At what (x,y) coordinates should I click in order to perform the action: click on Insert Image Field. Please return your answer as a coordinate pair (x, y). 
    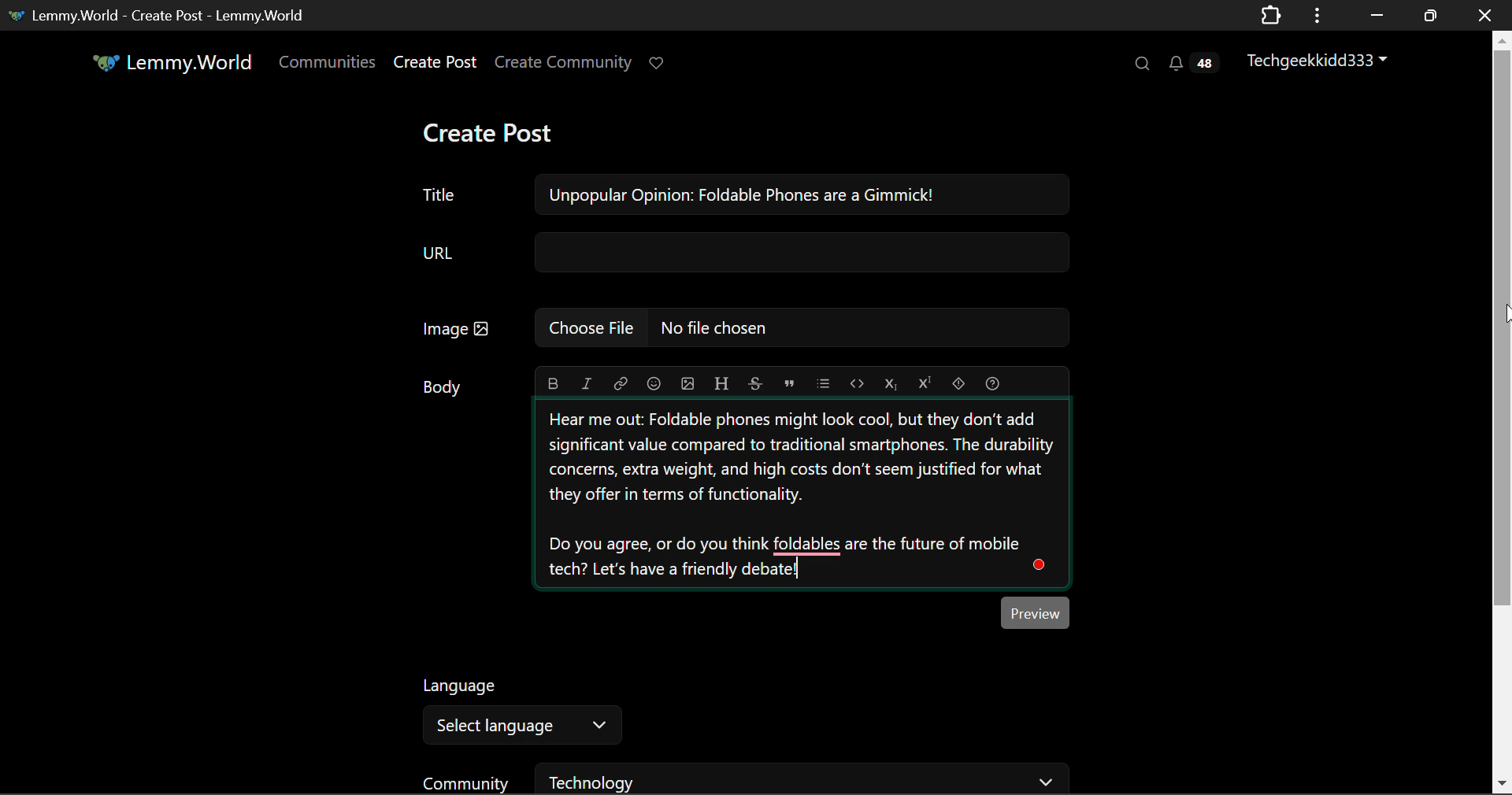
    Looking at the image, I should click on (745, 327).